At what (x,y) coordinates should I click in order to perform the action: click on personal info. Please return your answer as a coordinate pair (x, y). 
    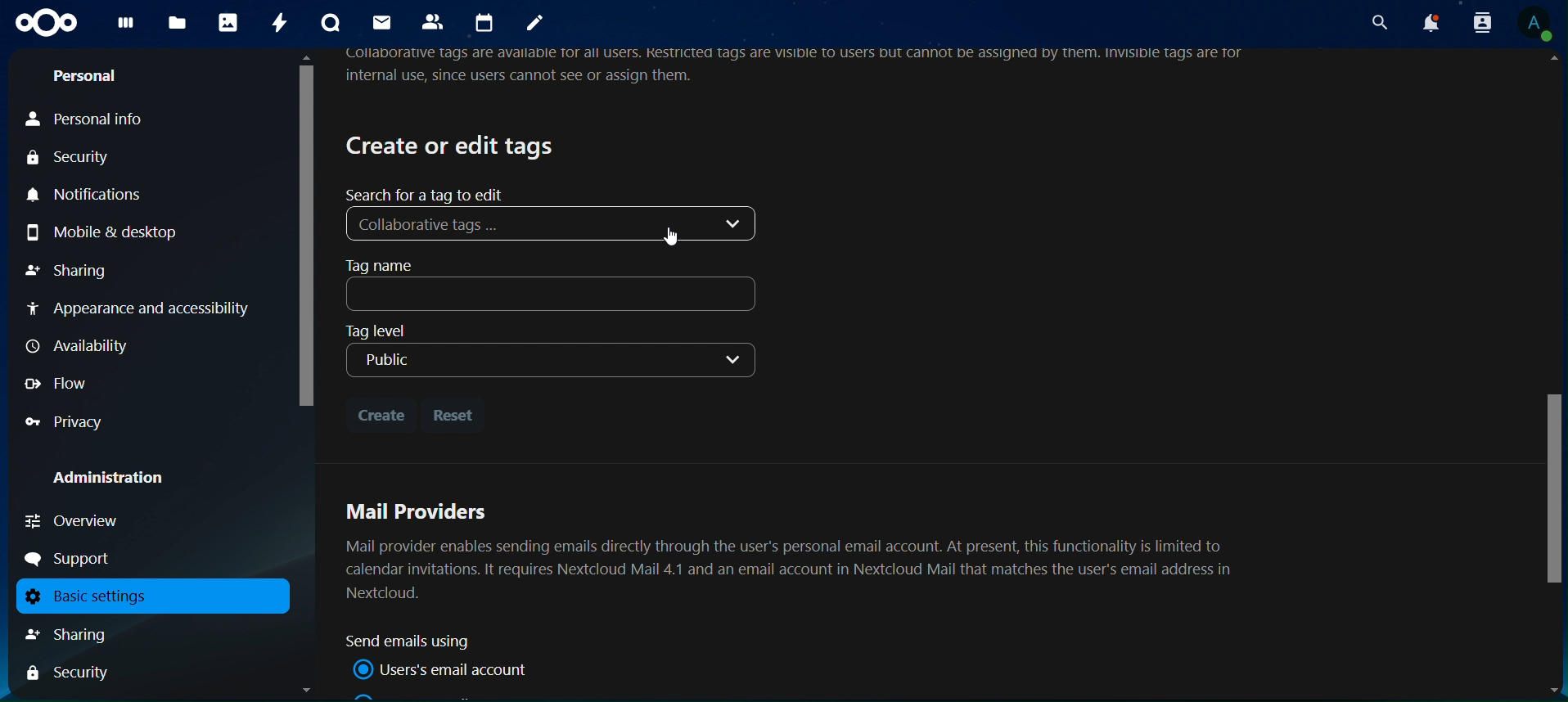
    Looking at the image, I should click on (107, 120).